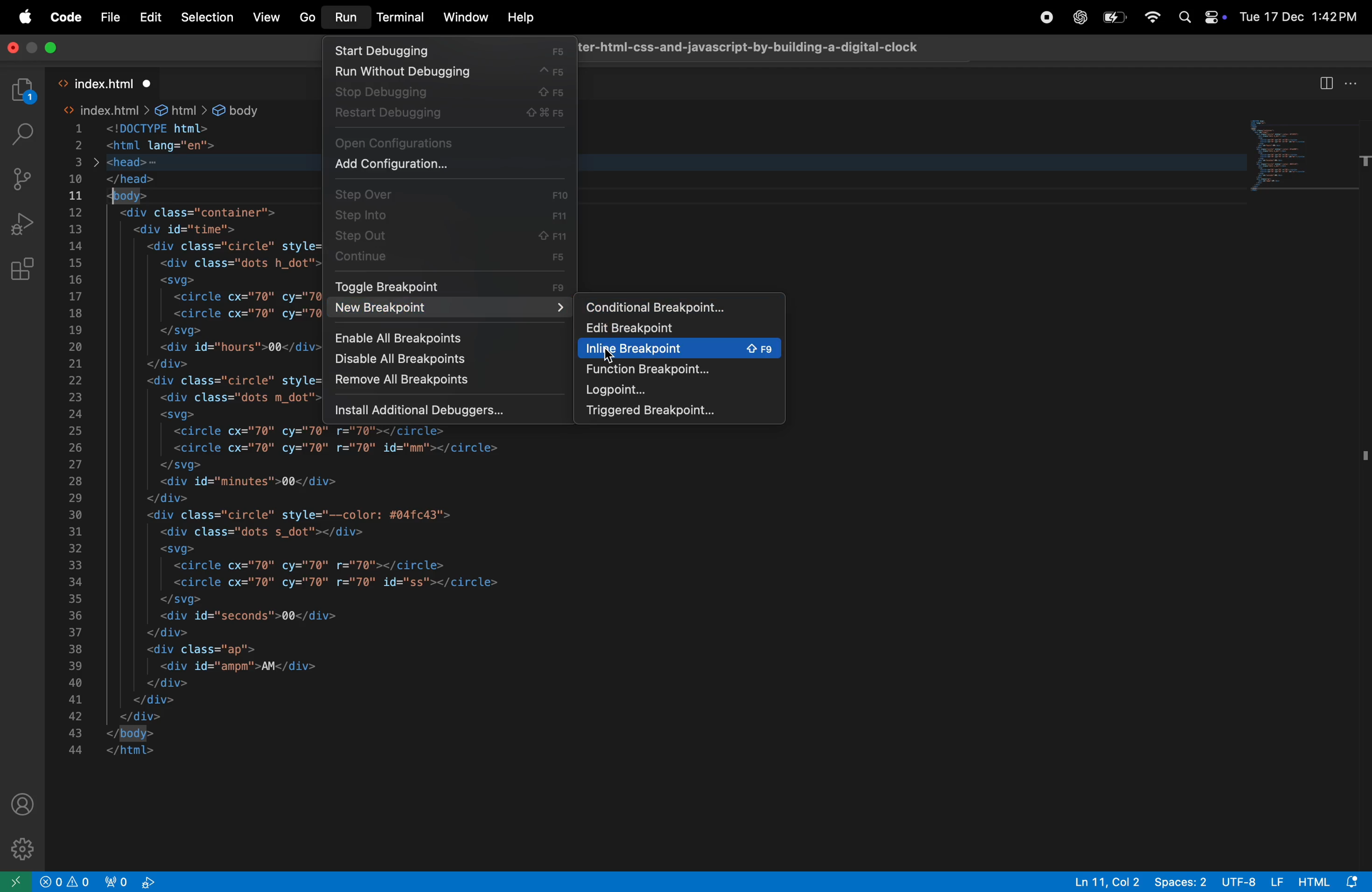  What do you see at coordinates (24, 92) in the screenshot?
I see `explore` at bounding box center [24, 92].